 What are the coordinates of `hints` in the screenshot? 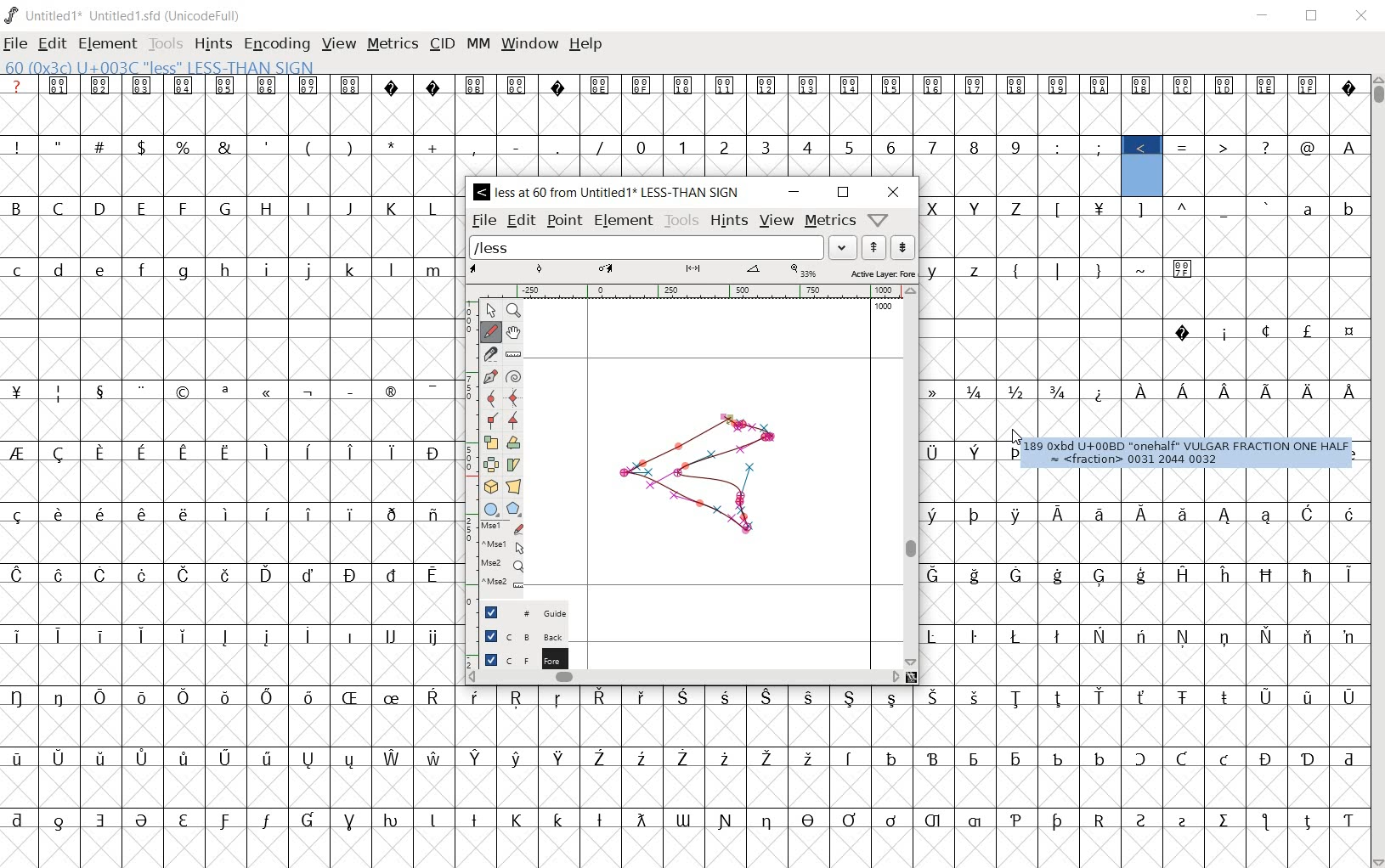 It's located at (730, 222).